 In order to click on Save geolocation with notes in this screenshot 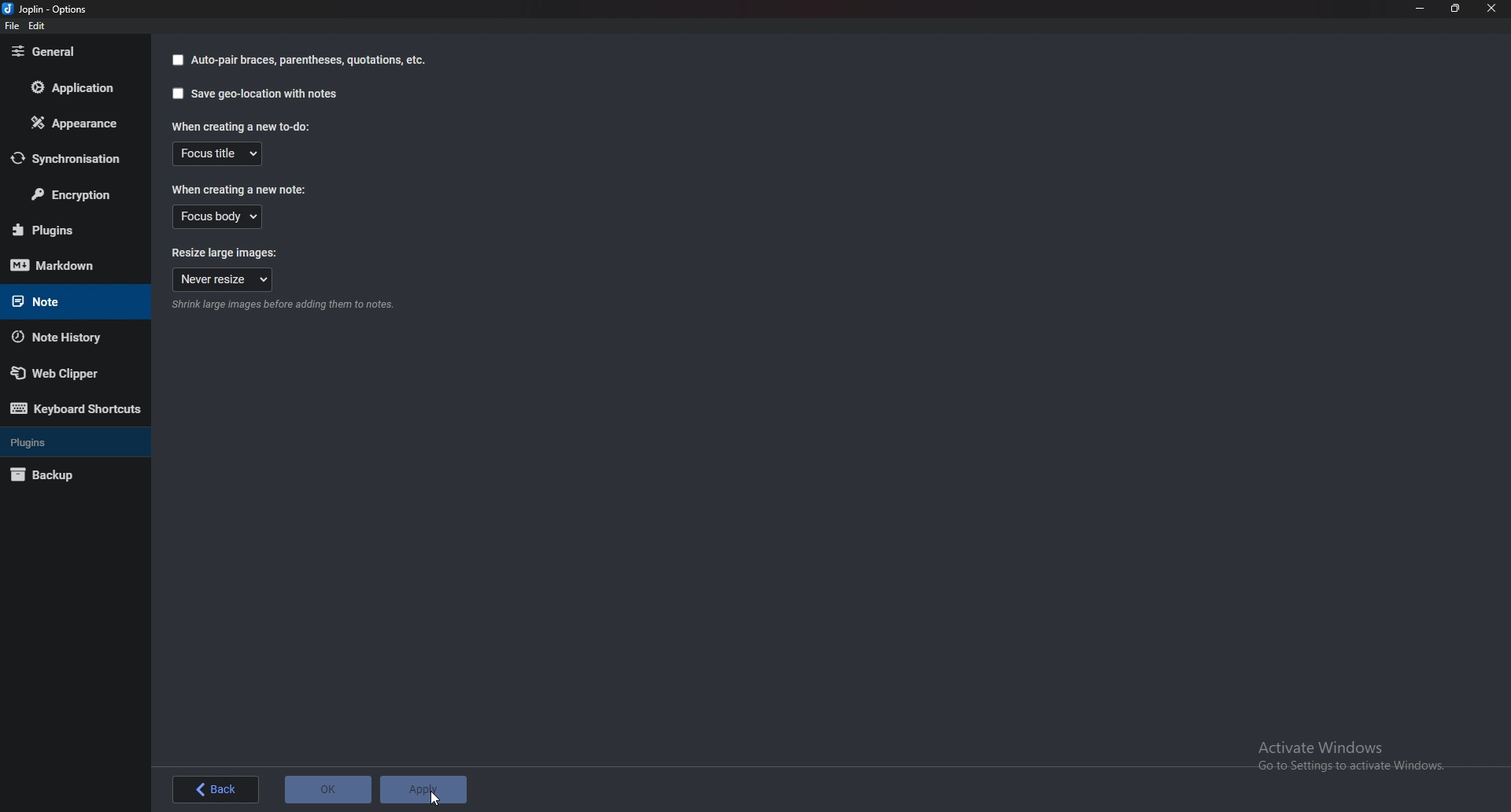, I will do `click(266, 94)`.